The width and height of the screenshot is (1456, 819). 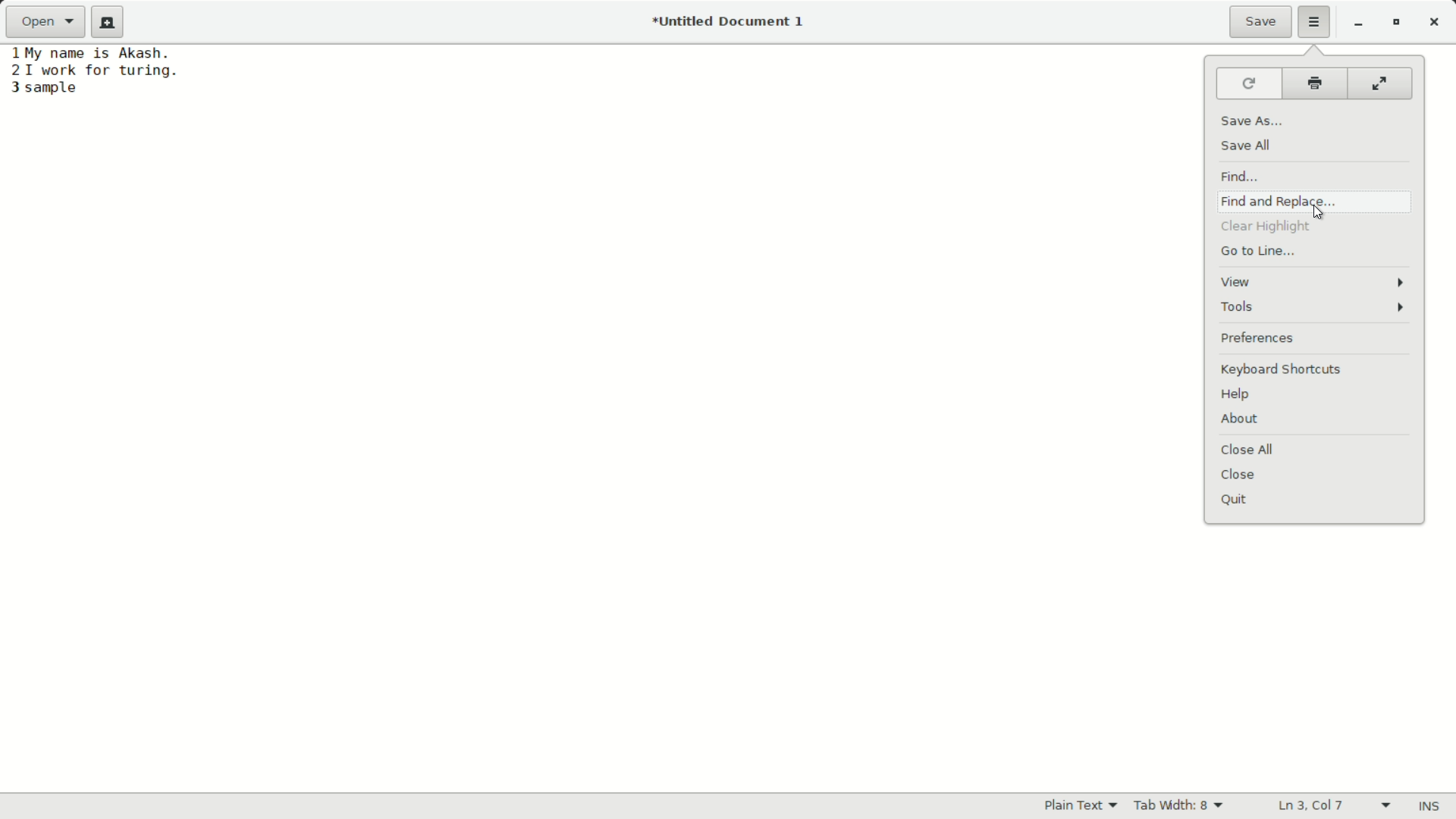 I want to click on plain text, so click(x=1084, y=805).